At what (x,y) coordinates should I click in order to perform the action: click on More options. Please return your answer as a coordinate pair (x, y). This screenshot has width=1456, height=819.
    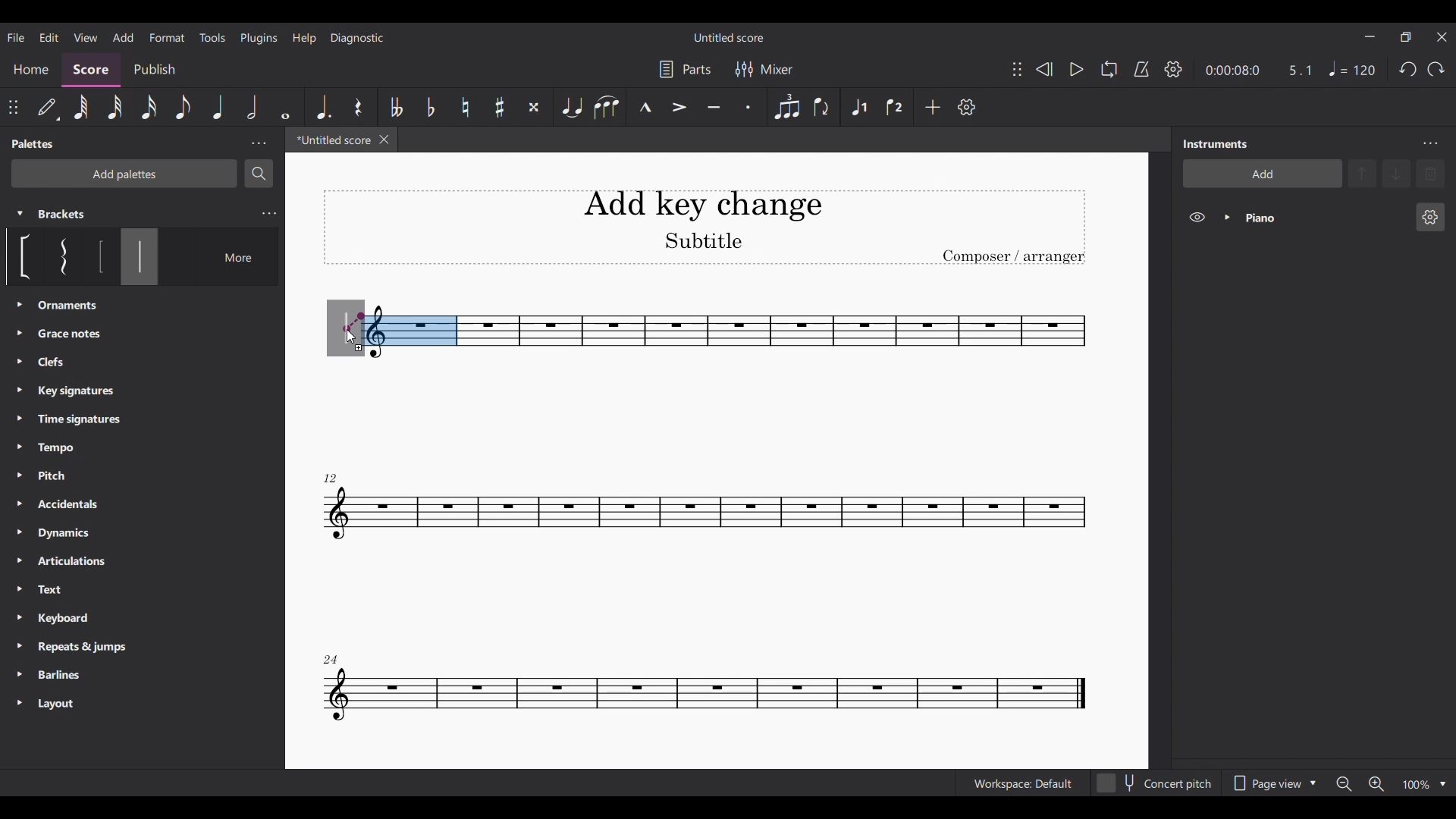
    Looking at the image, I should click on (228, 257).